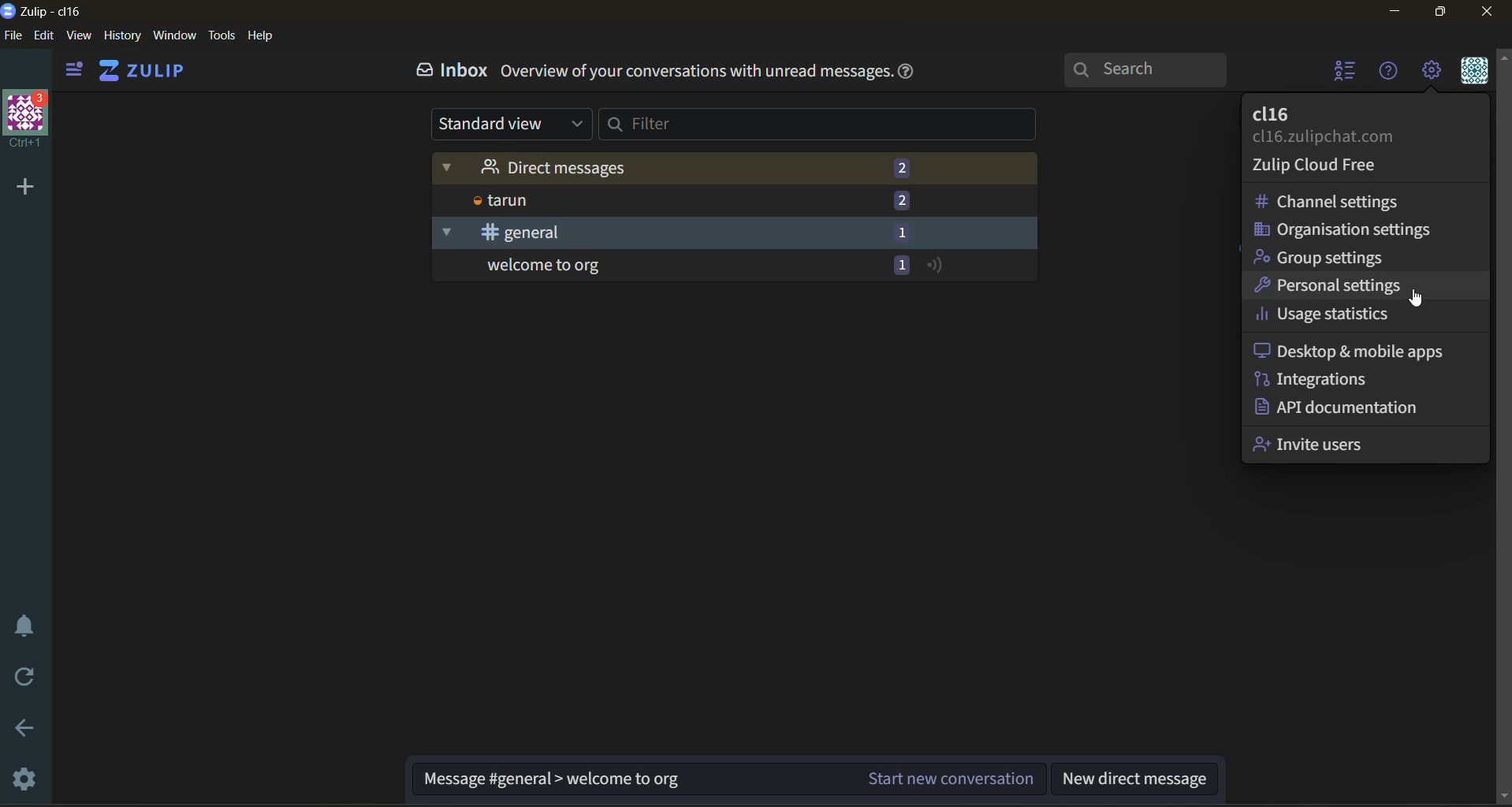 The width and height of the screenshot is (1512, 807). What do you see at coordinates (1359, 200) in the screenshot?
I see `channel settings` at bounding box center [1359, 200].